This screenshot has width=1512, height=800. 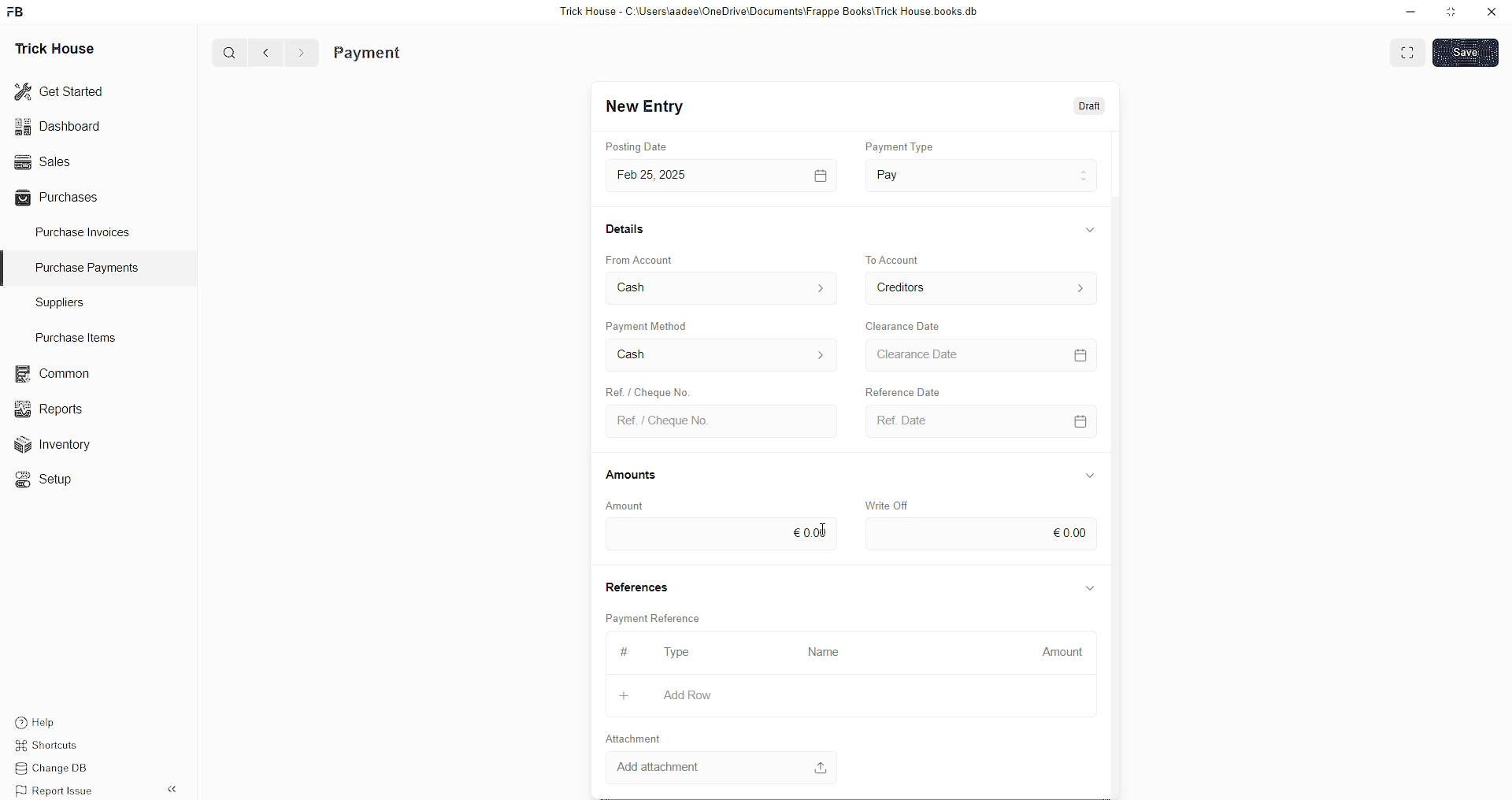 I want to click on minimise window, so click(x=1450, y=13).